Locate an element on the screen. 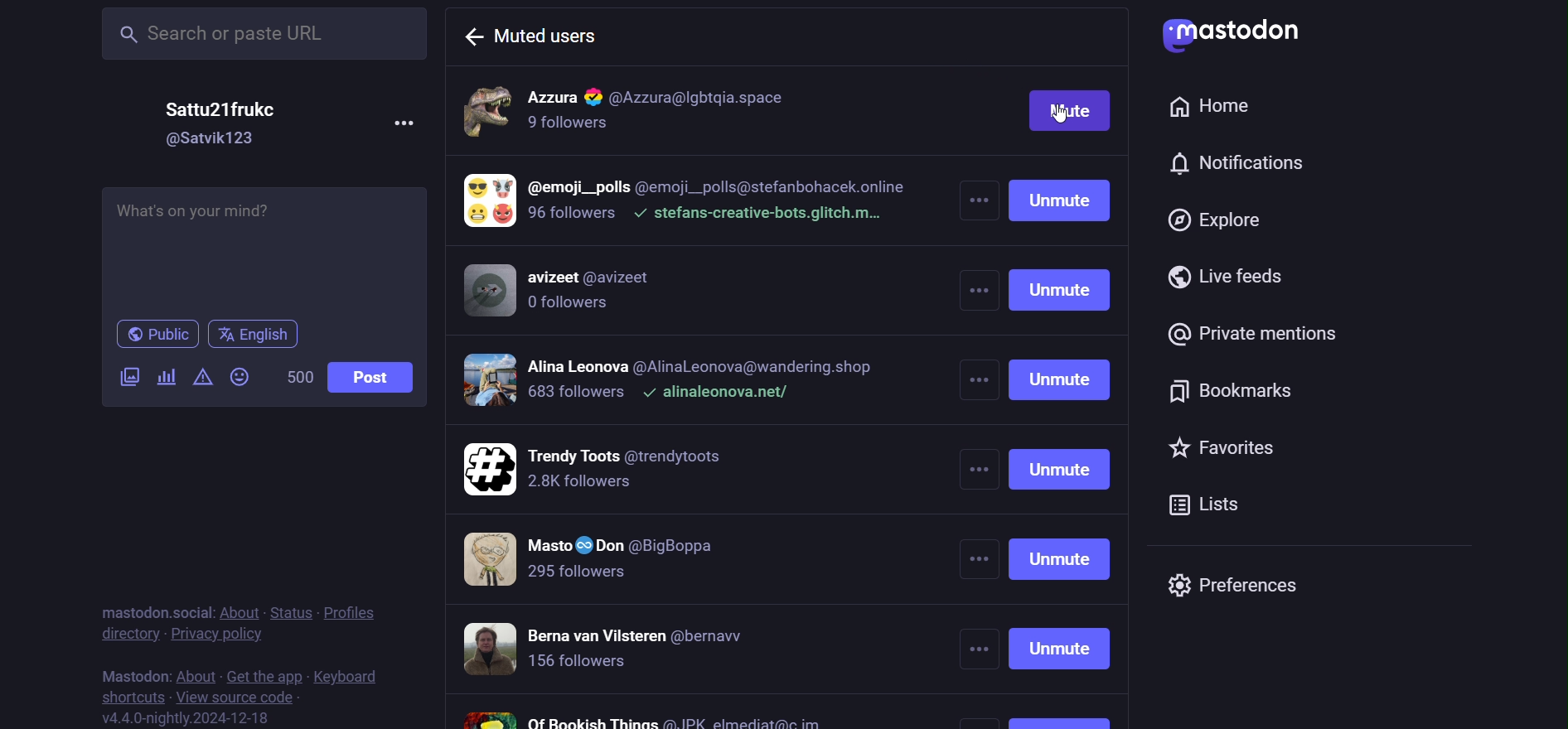 This screenshot has height=729, width=1568. home is located at coordinates (1217, 108).